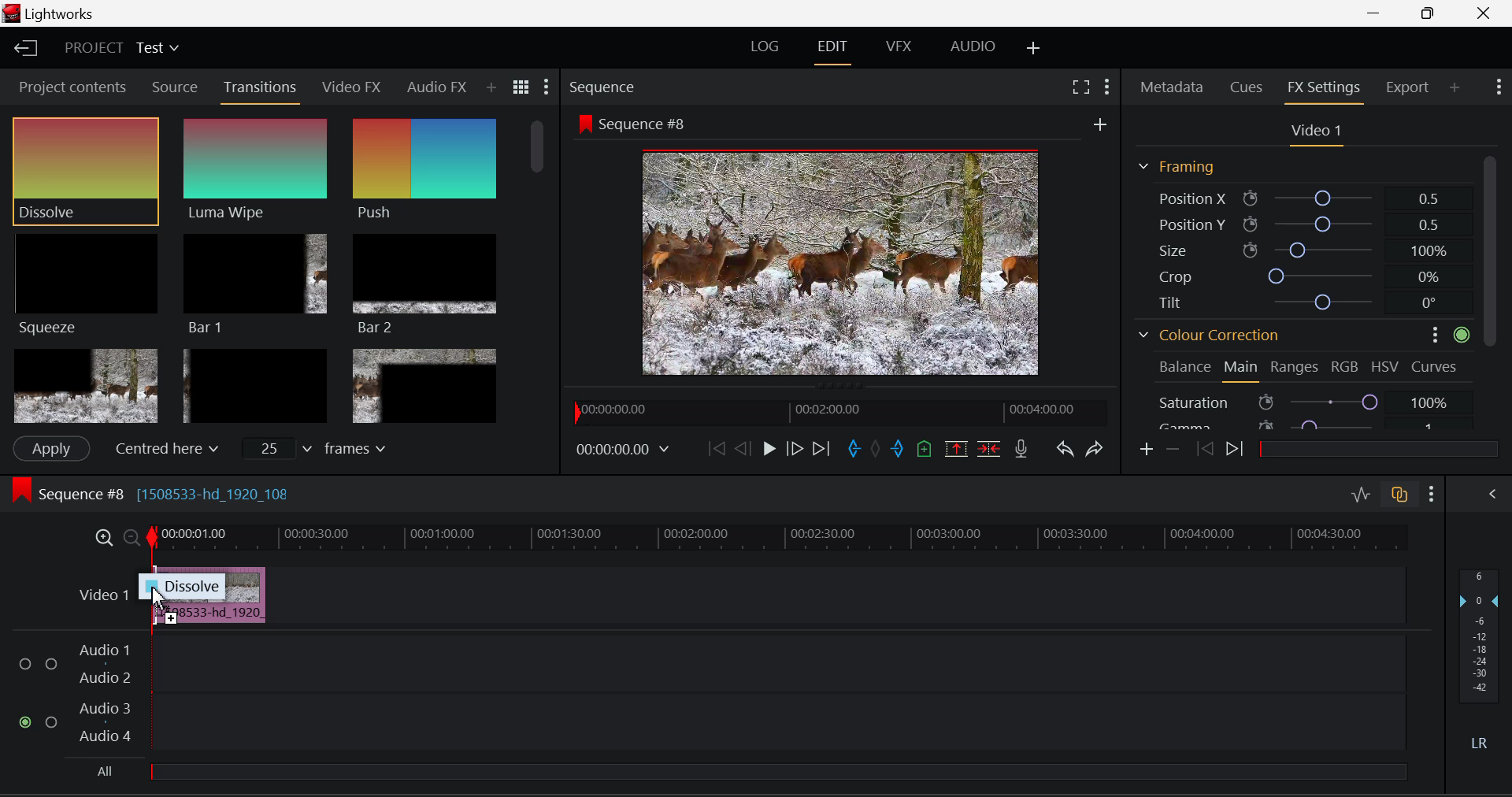 The image size is (1512, 797). What do you see at coordinates (353, 91) in the screenshot?
I see `Video FX Open` at bounding box center [353, 91].